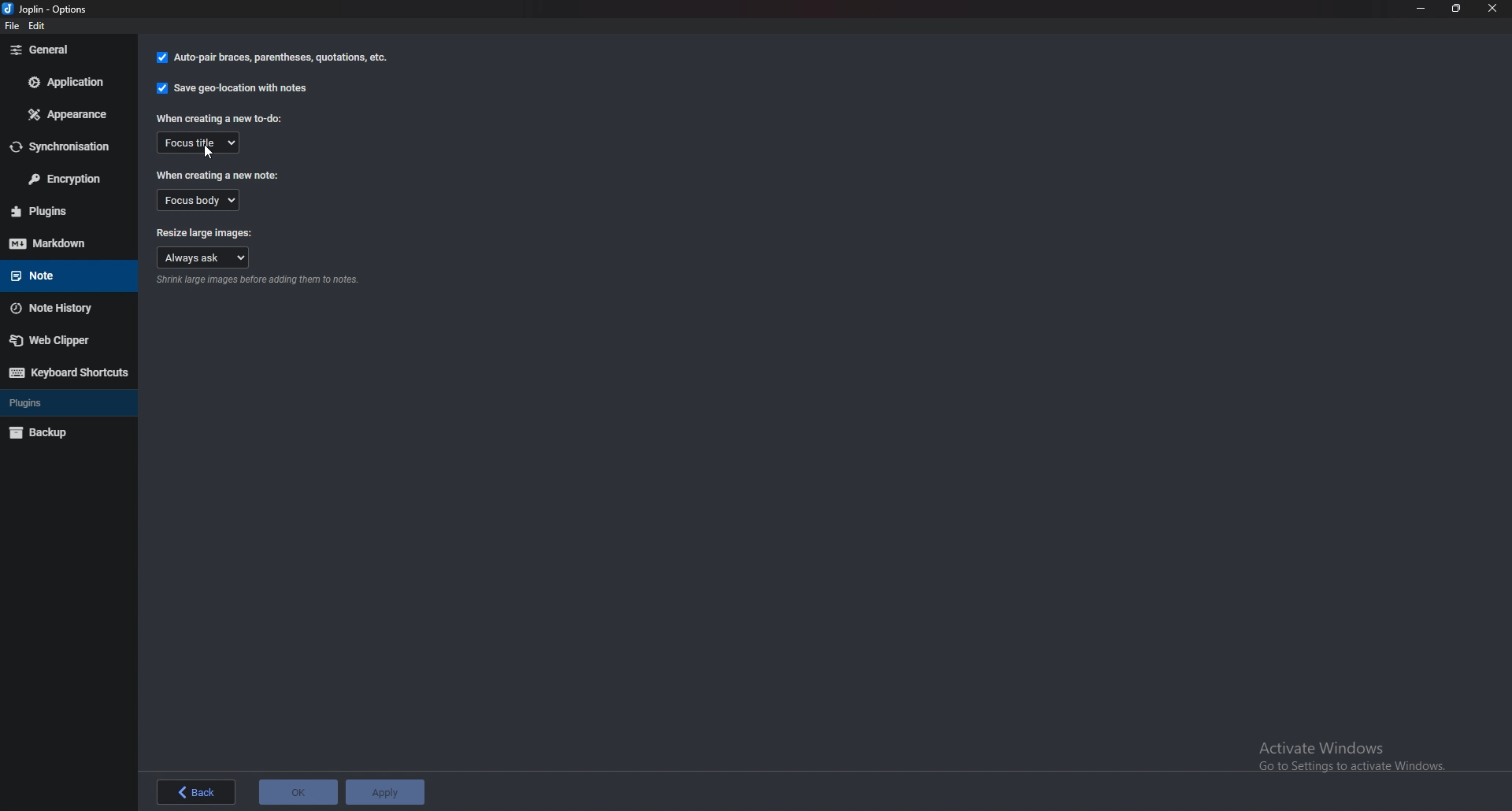 The image size is (1512, 811). What do you see at coordinates (205, 231) in the screenshot?
I see `Resize large images` at bounding box center [205, 231].